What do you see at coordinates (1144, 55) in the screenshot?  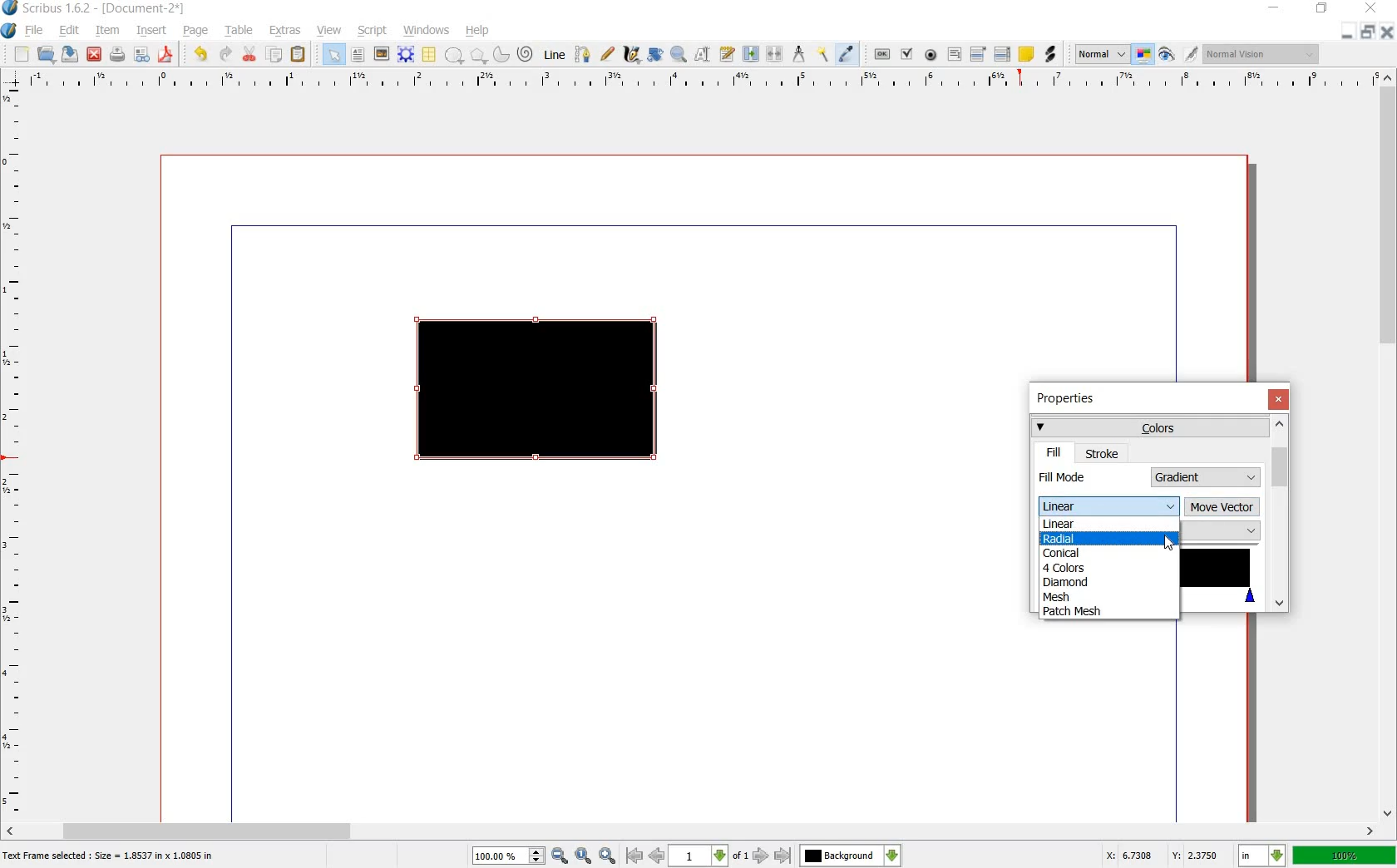 I see `toggle color management system` at bounding box center [1144, 55].